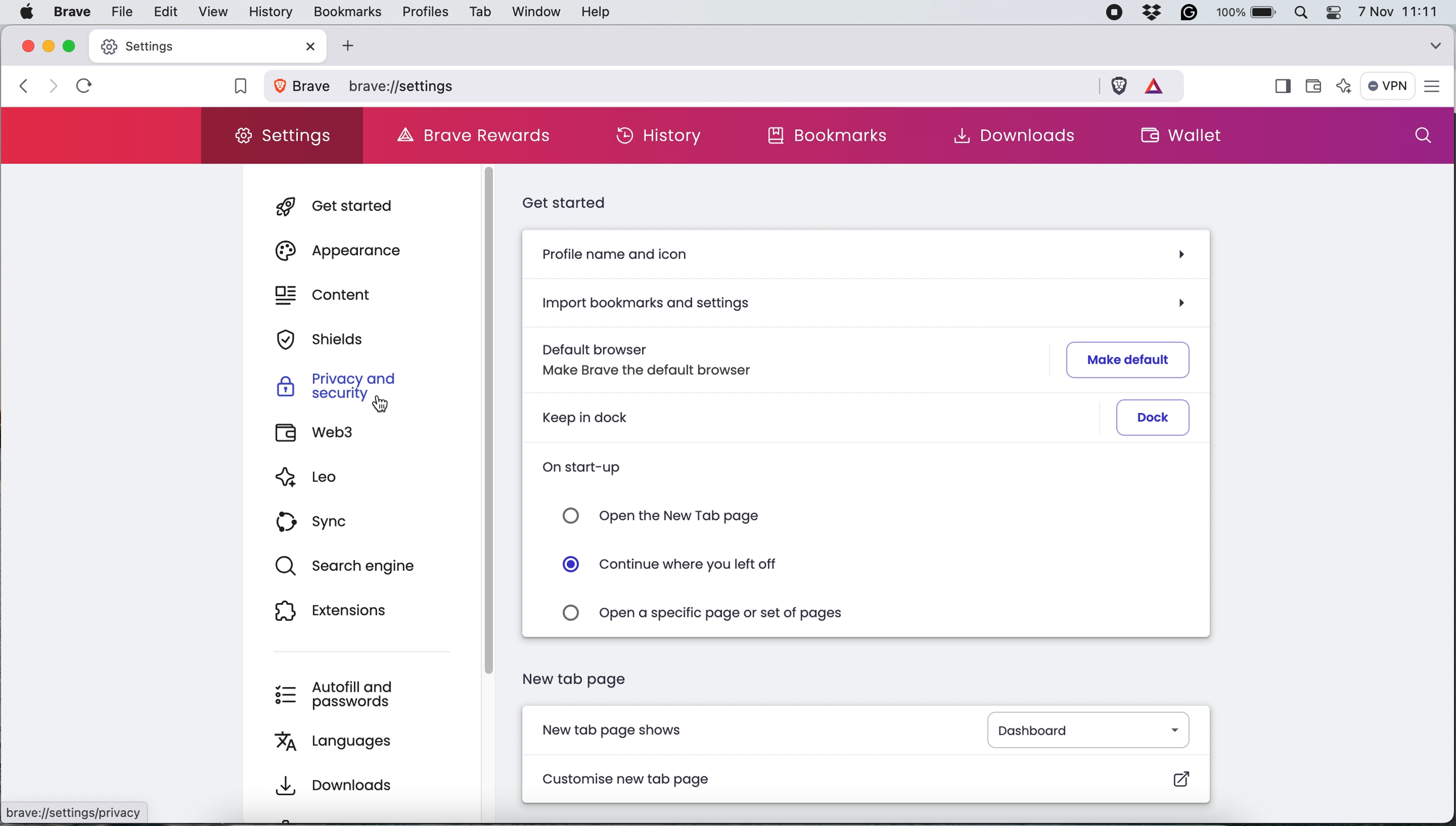 Image resolution: width=1456 pixels, height=826 pixels. Describe the element at coordinates (291, 135) in the screenshot. I see `settings` at that location.